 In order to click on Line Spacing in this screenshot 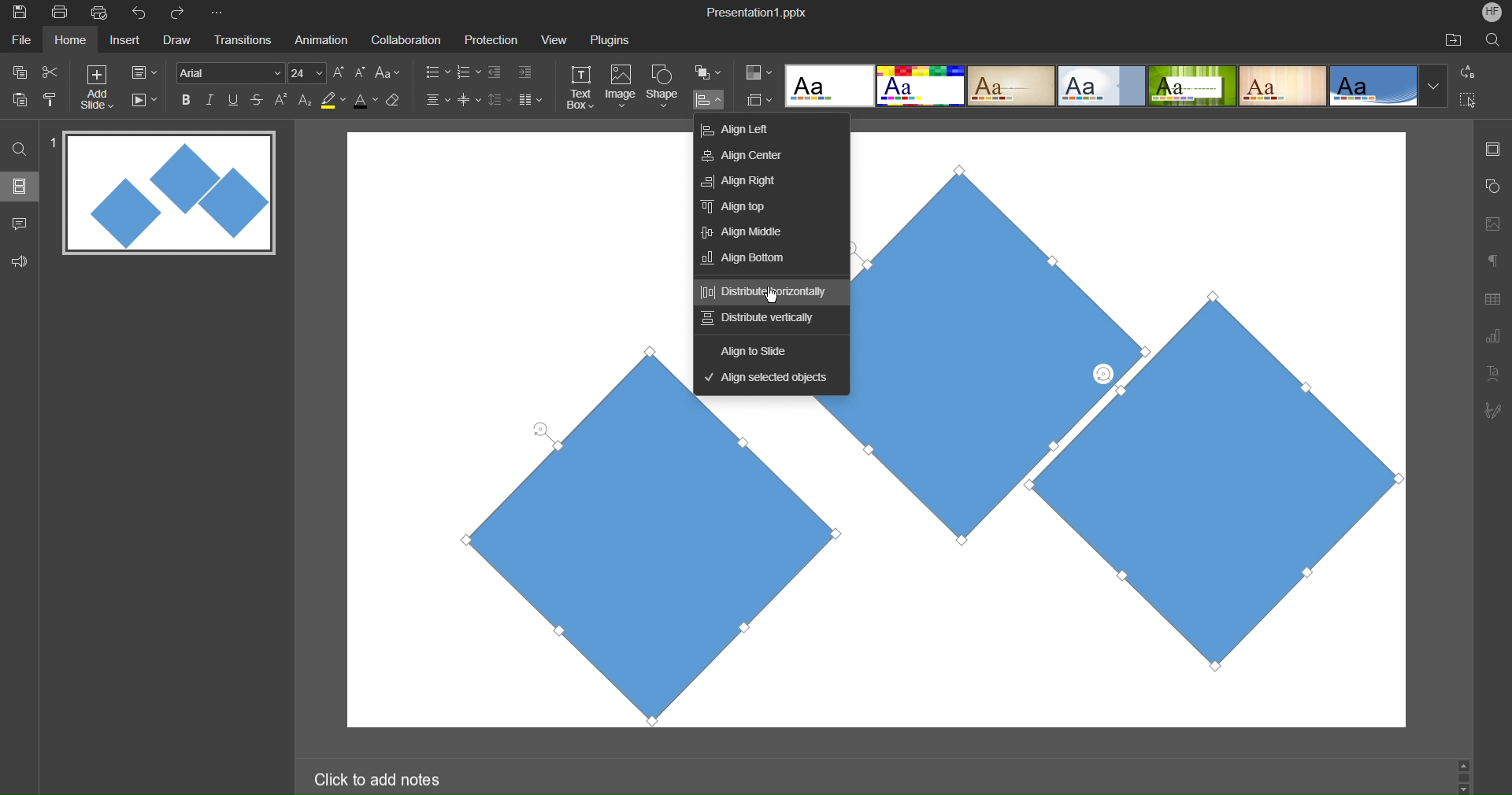, I will do `click(498, 101)`.